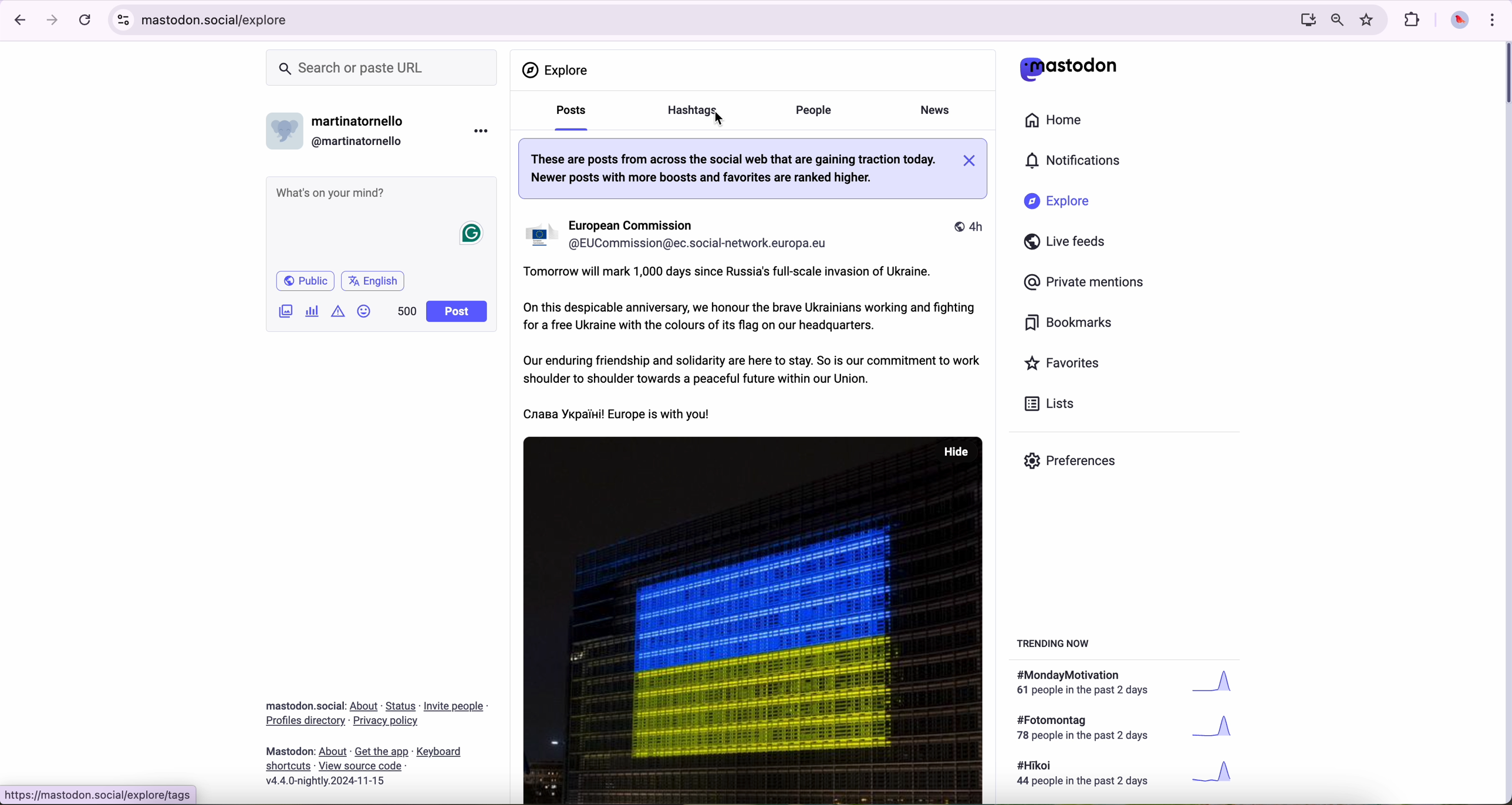 Image resolution: width=1512 pixels, height=805 pixels. I want to click on home, so click(1055, 119).